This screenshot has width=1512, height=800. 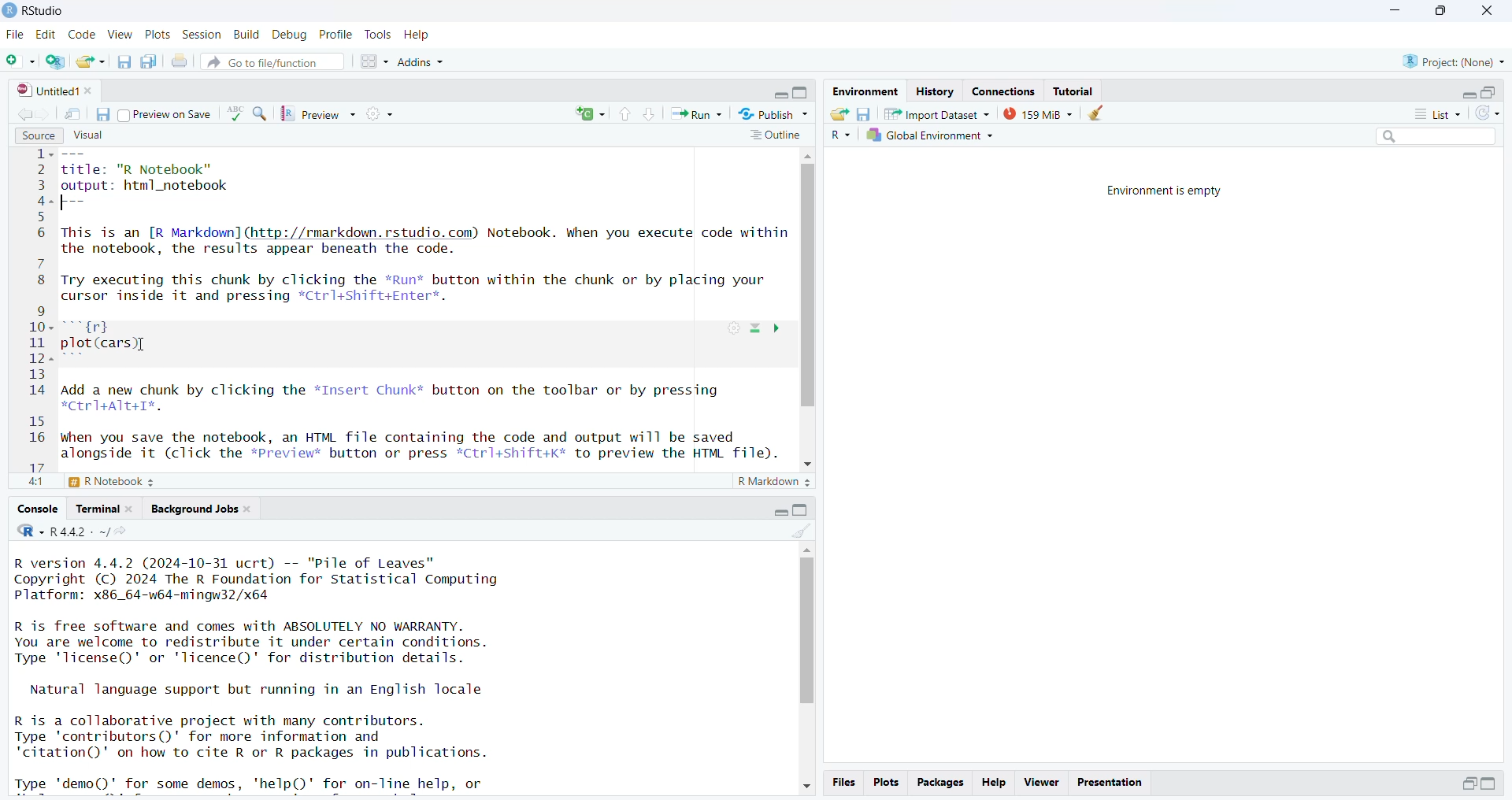 What do you see at coordinates (1430, 113) in the screenshot?
I see `list` at bounding box center [1430, 113].